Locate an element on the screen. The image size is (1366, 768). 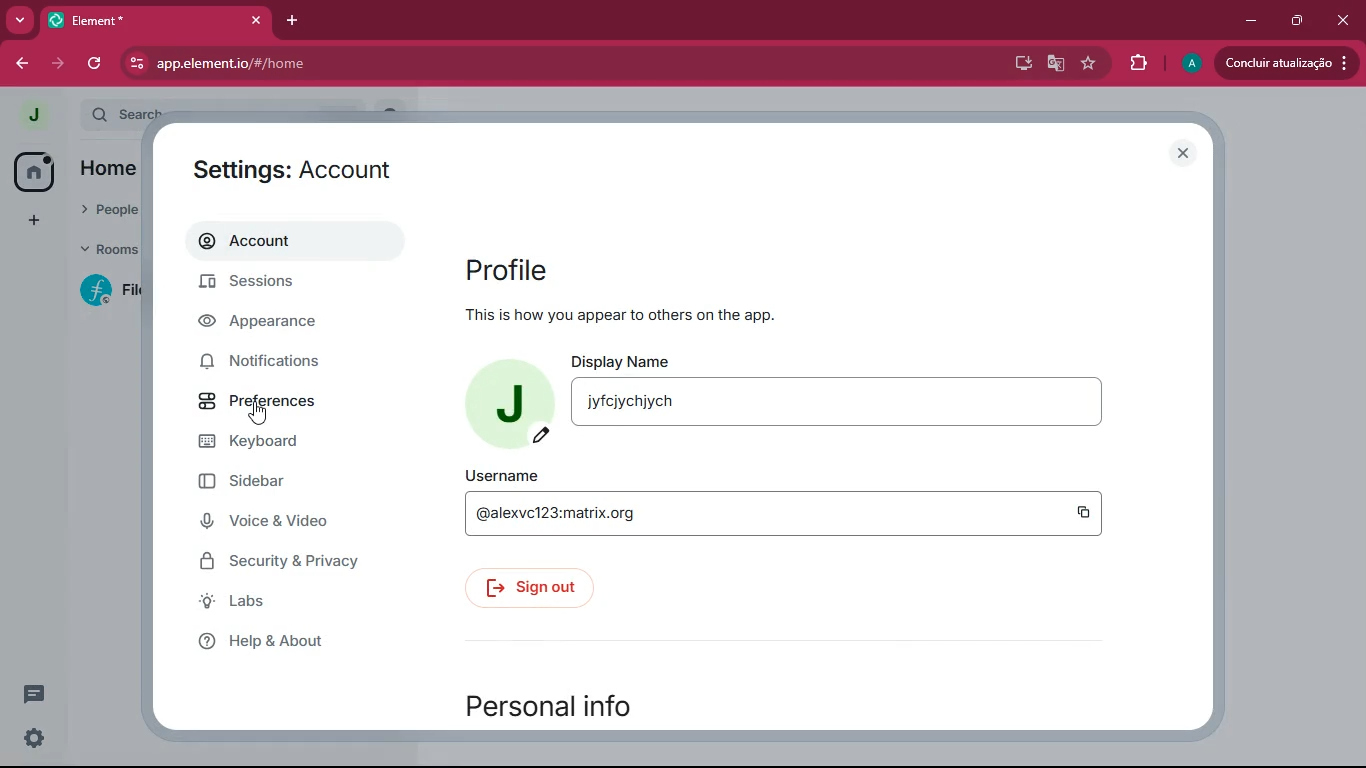
profile is located at coordinates (1190, 63).